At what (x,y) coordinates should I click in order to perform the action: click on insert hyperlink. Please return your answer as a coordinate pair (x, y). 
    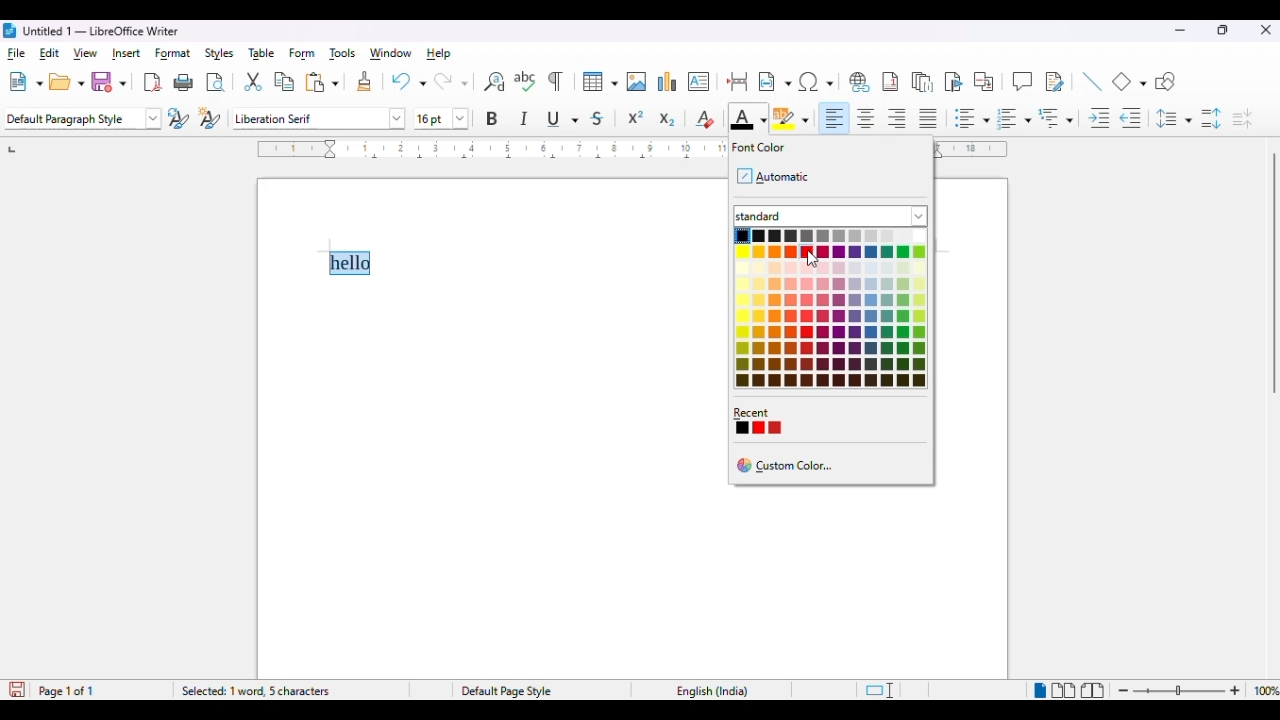
    Looking at the image, I should click on (858, 82).